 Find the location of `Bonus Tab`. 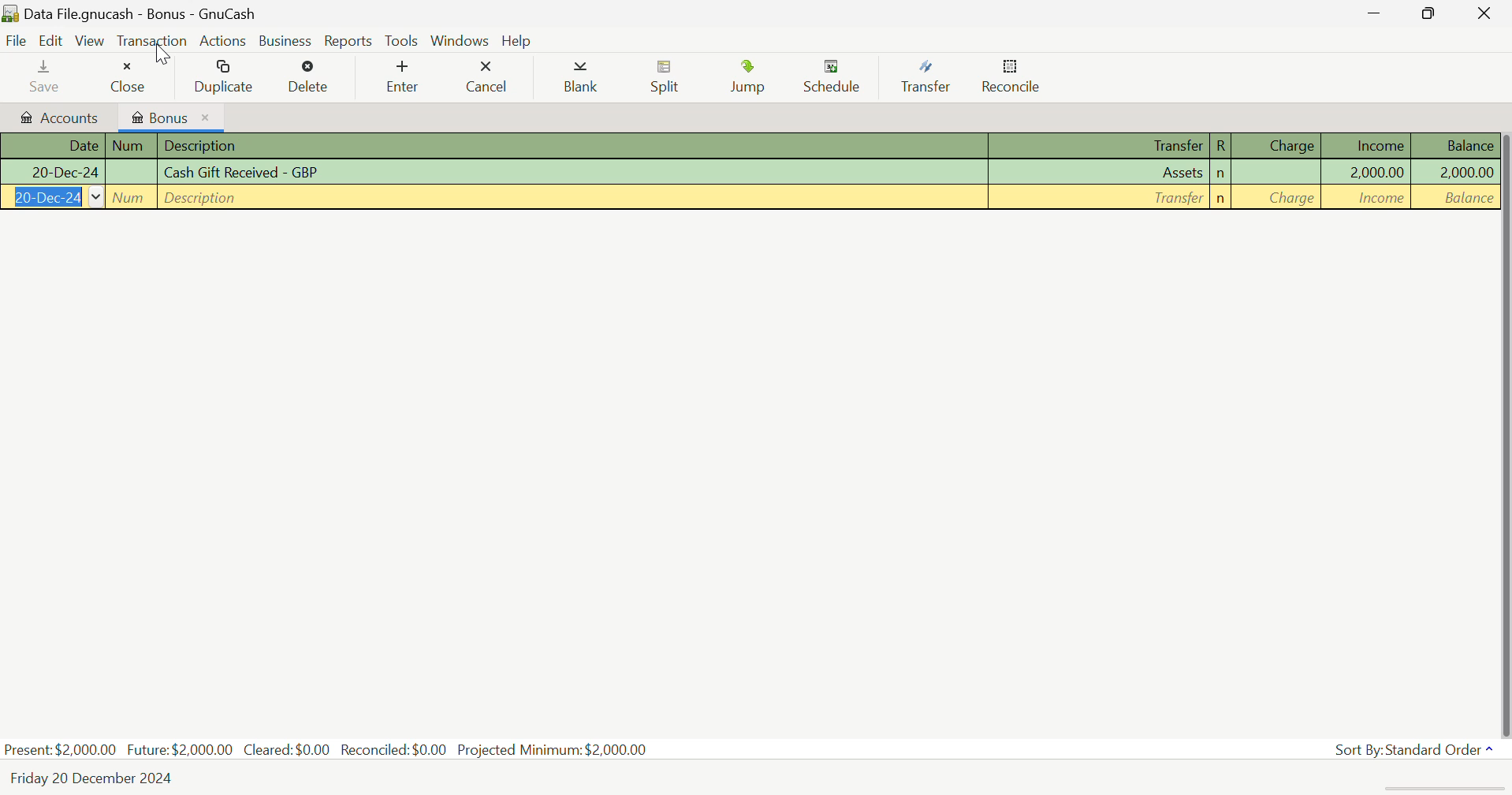

Bonus Tab is located at coordinates (170, 115).